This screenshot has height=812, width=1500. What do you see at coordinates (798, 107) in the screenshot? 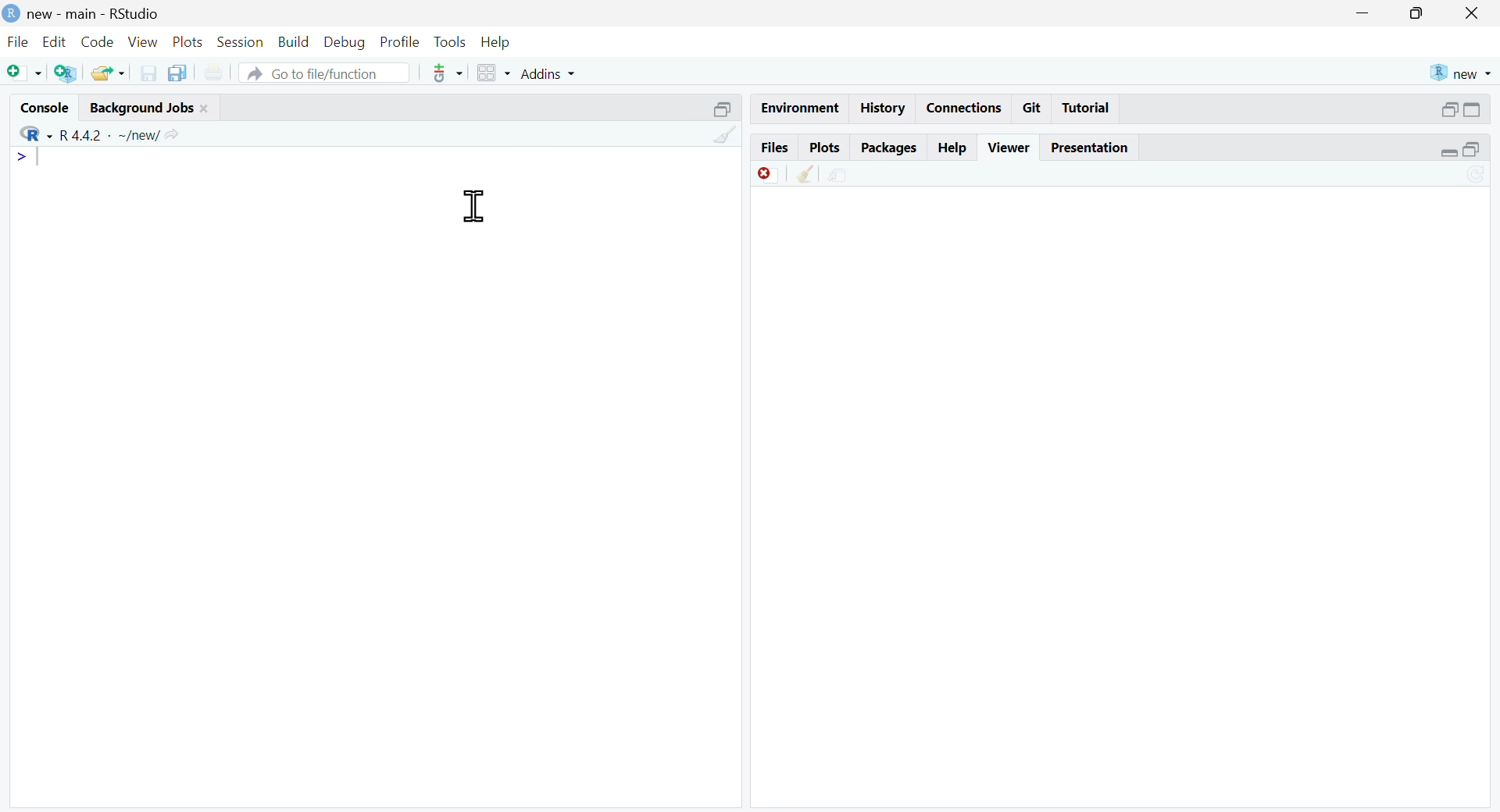
I see `enviornment` at bounding box center [798, 107].